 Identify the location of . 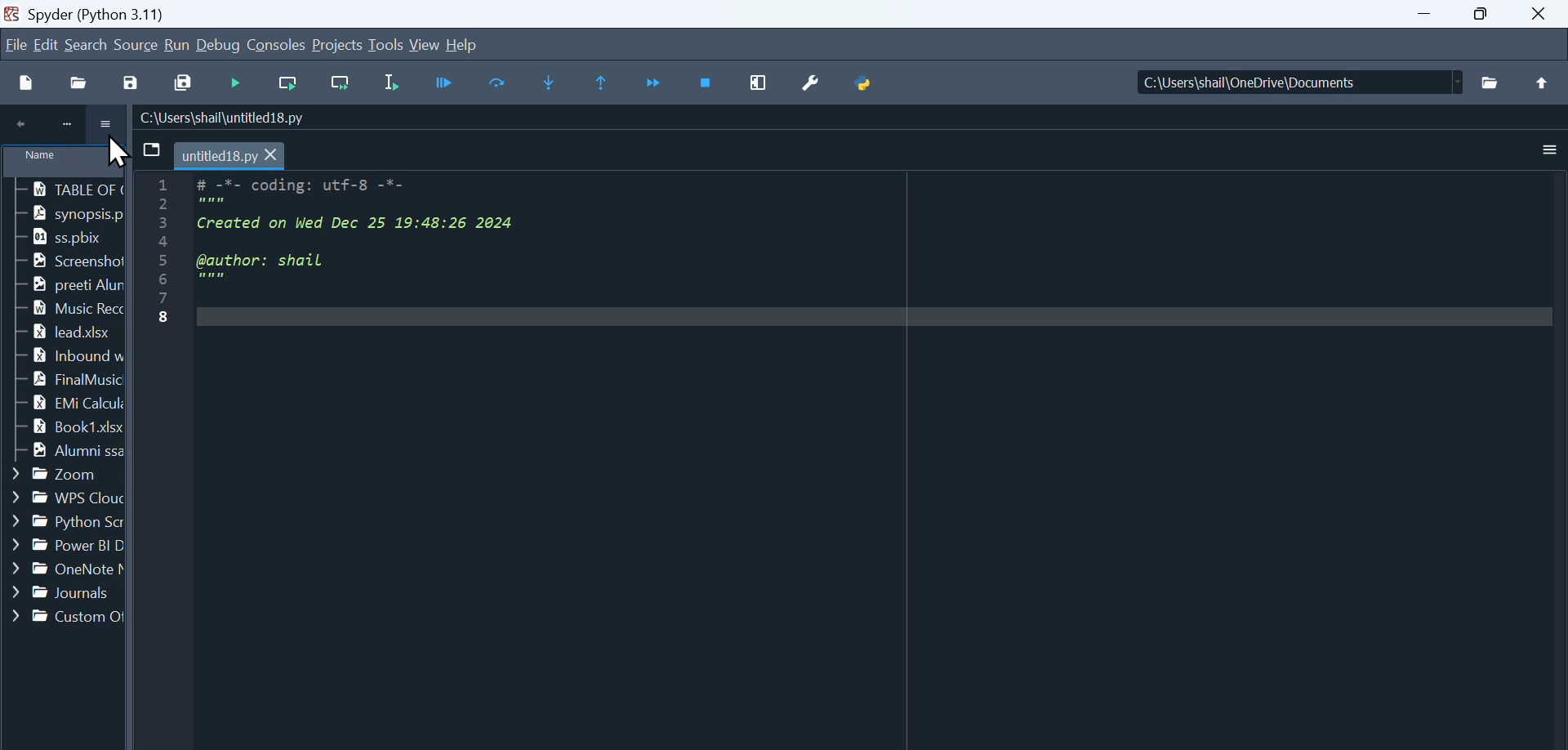
(177, 46).